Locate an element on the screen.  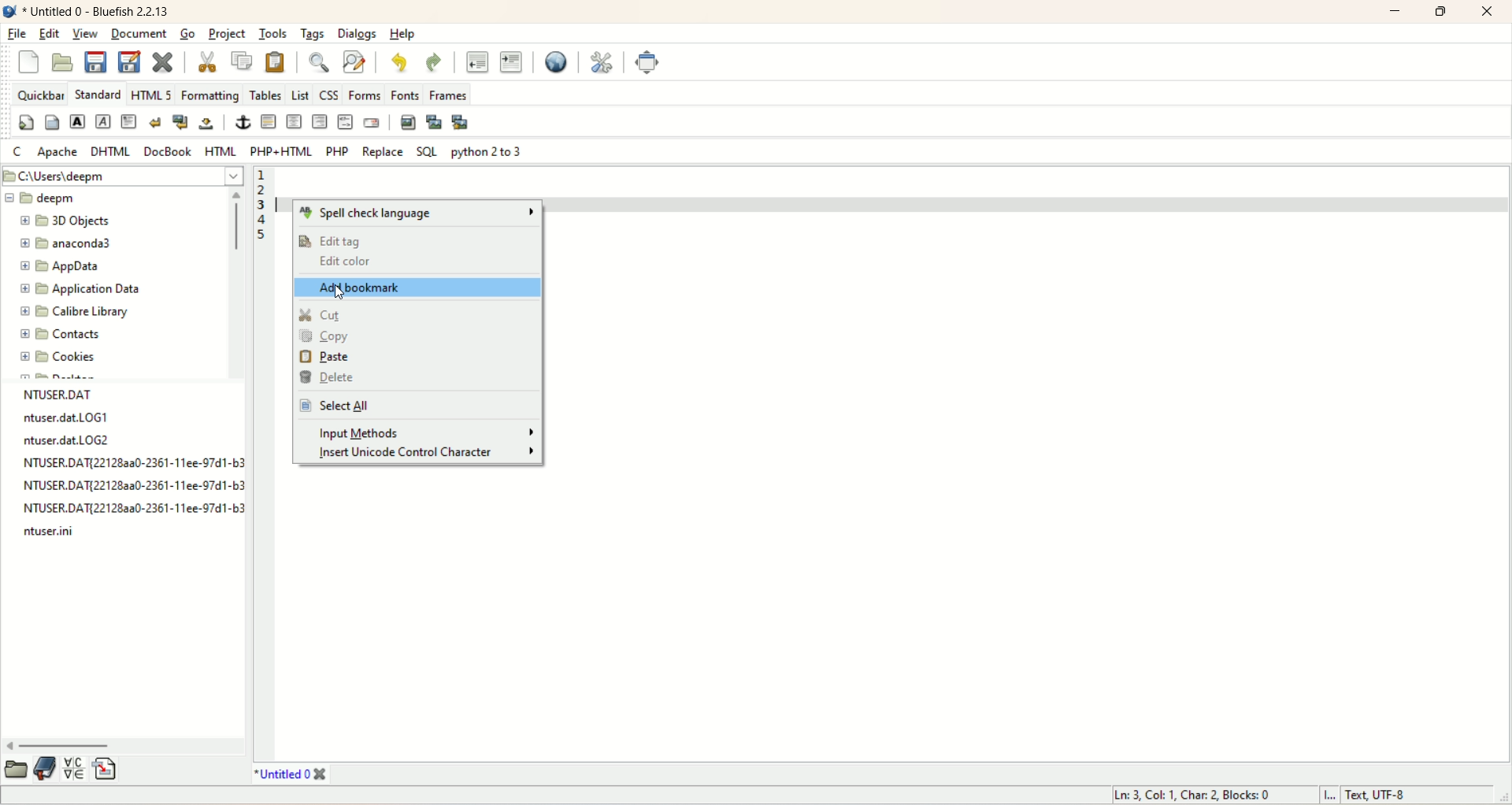
save current file is located at coordinates (96, 63).